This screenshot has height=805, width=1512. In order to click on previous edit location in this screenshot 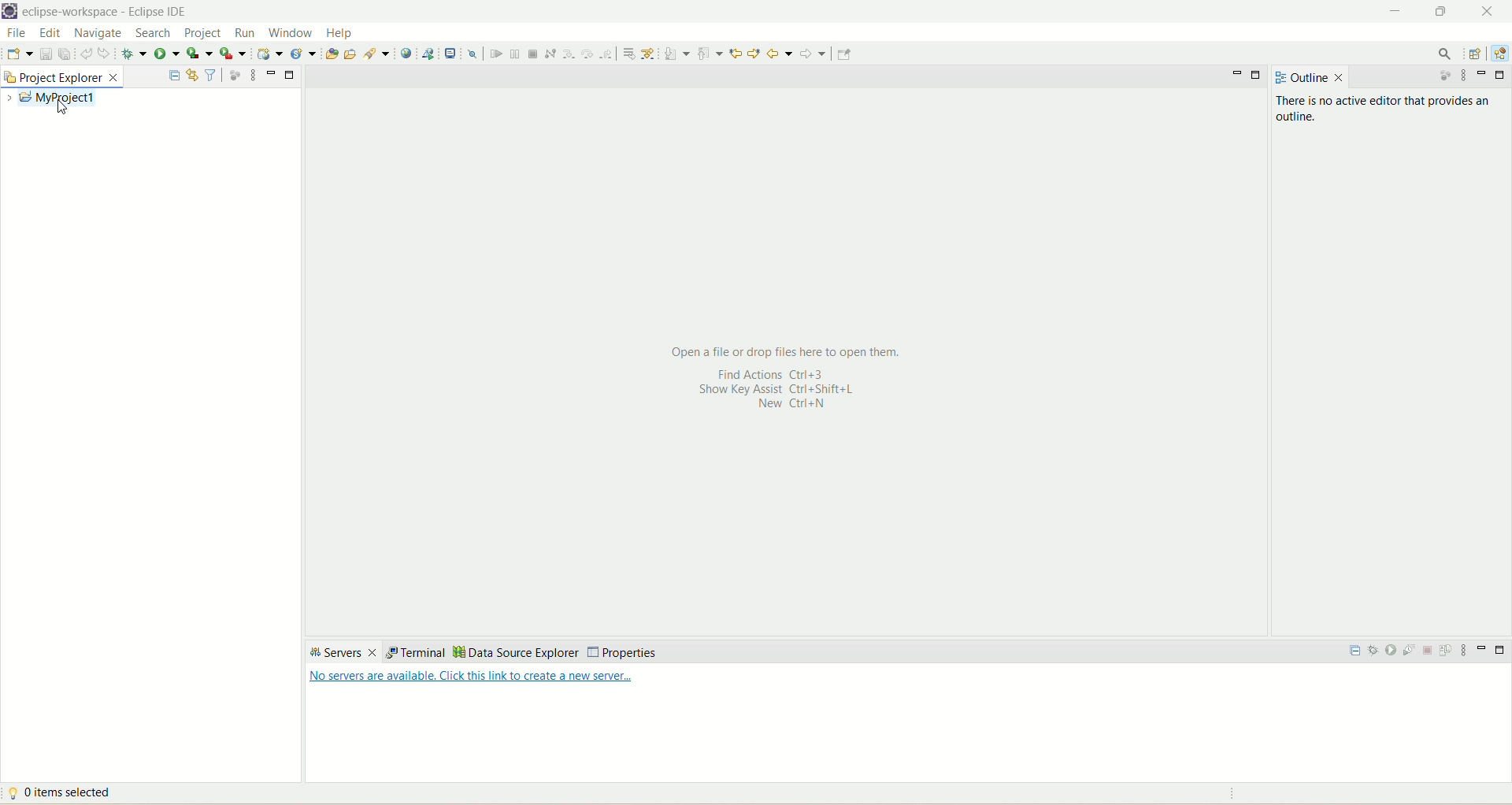, I will do `click(754, 54)`.